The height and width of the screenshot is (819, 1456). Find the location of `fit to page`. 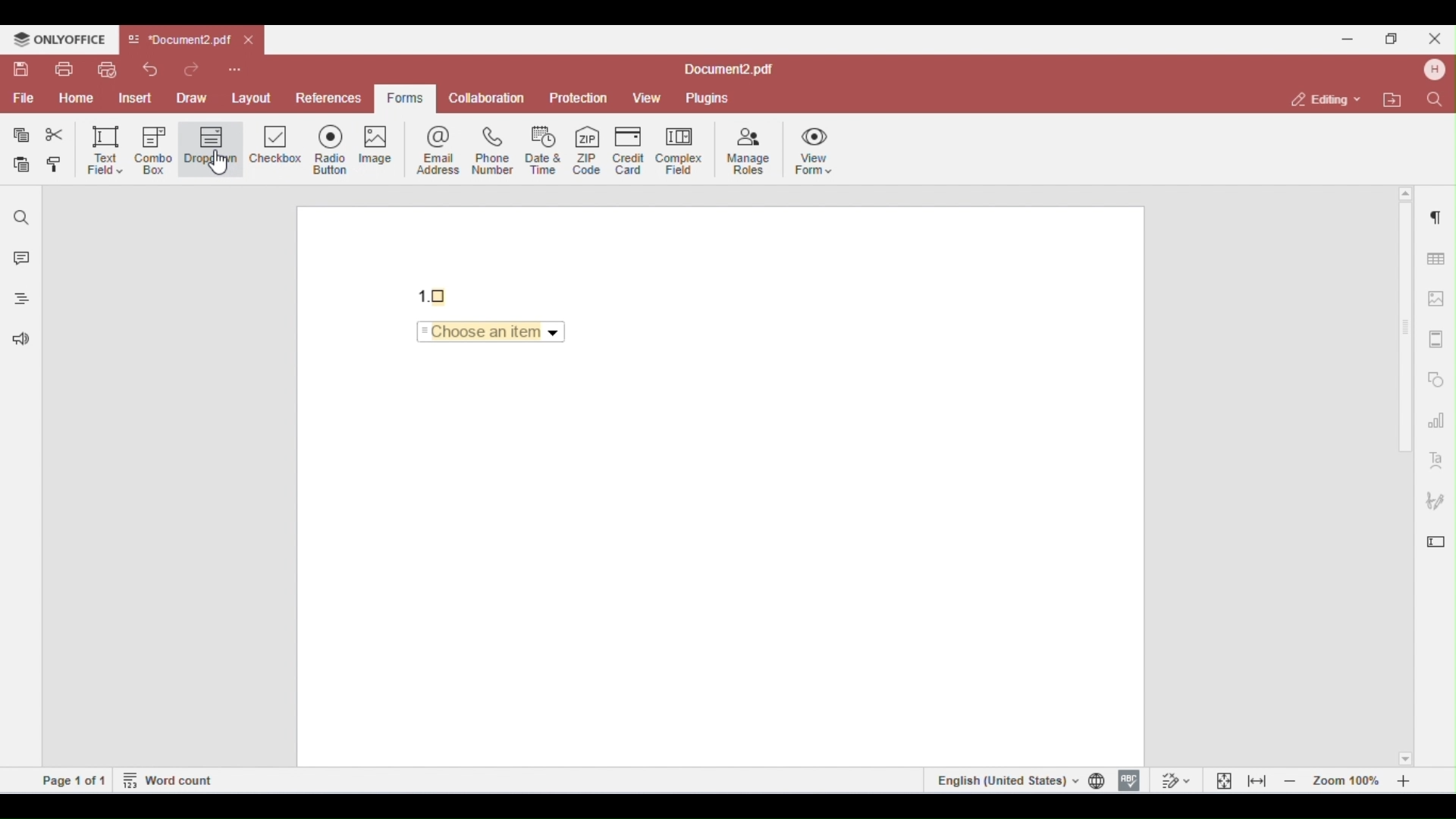

fit to page is located at coordinates (1225, 780).